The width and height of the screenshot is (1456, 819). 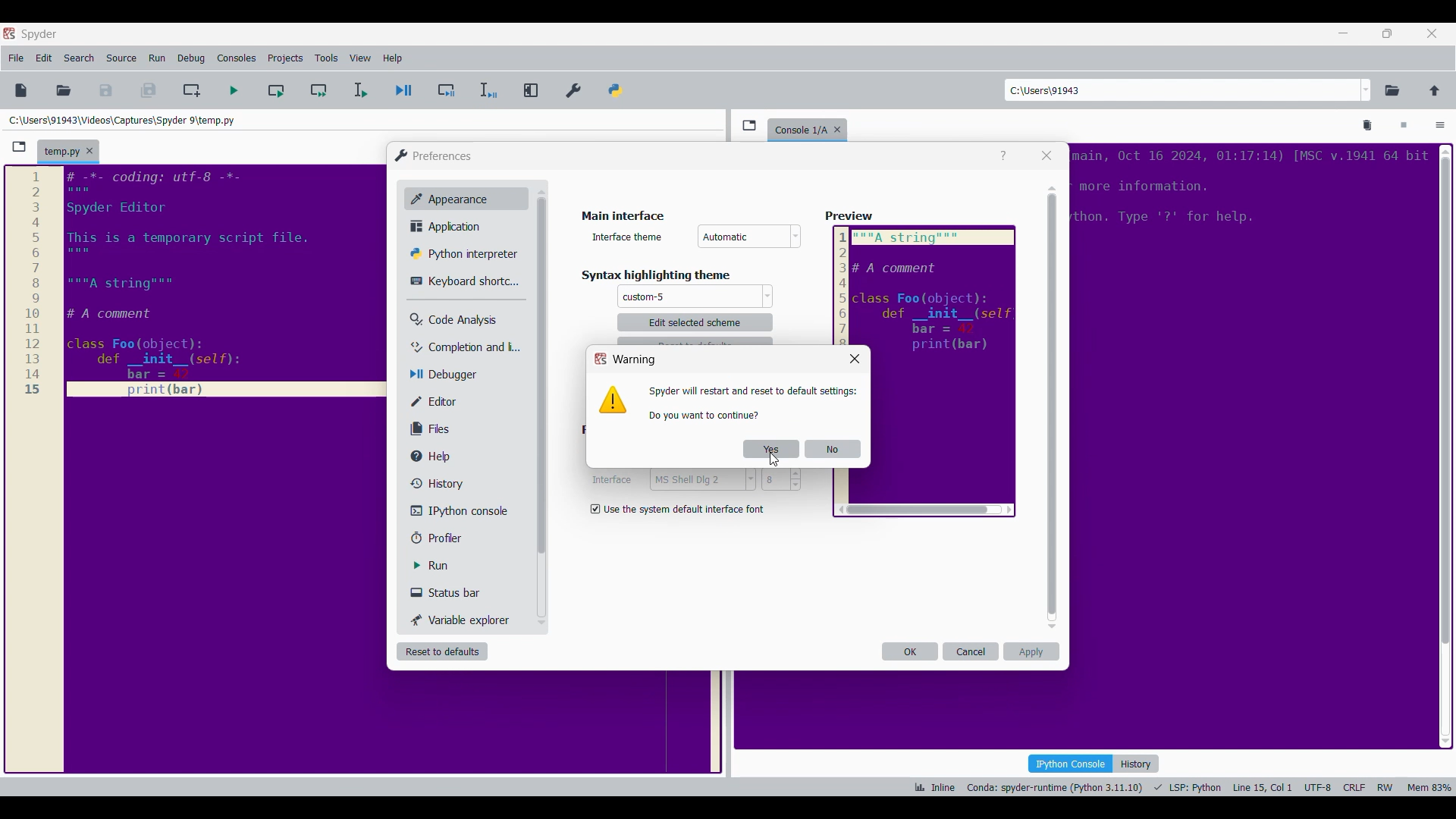 I want to click on Interface theme options, so click(x=749, y=237).